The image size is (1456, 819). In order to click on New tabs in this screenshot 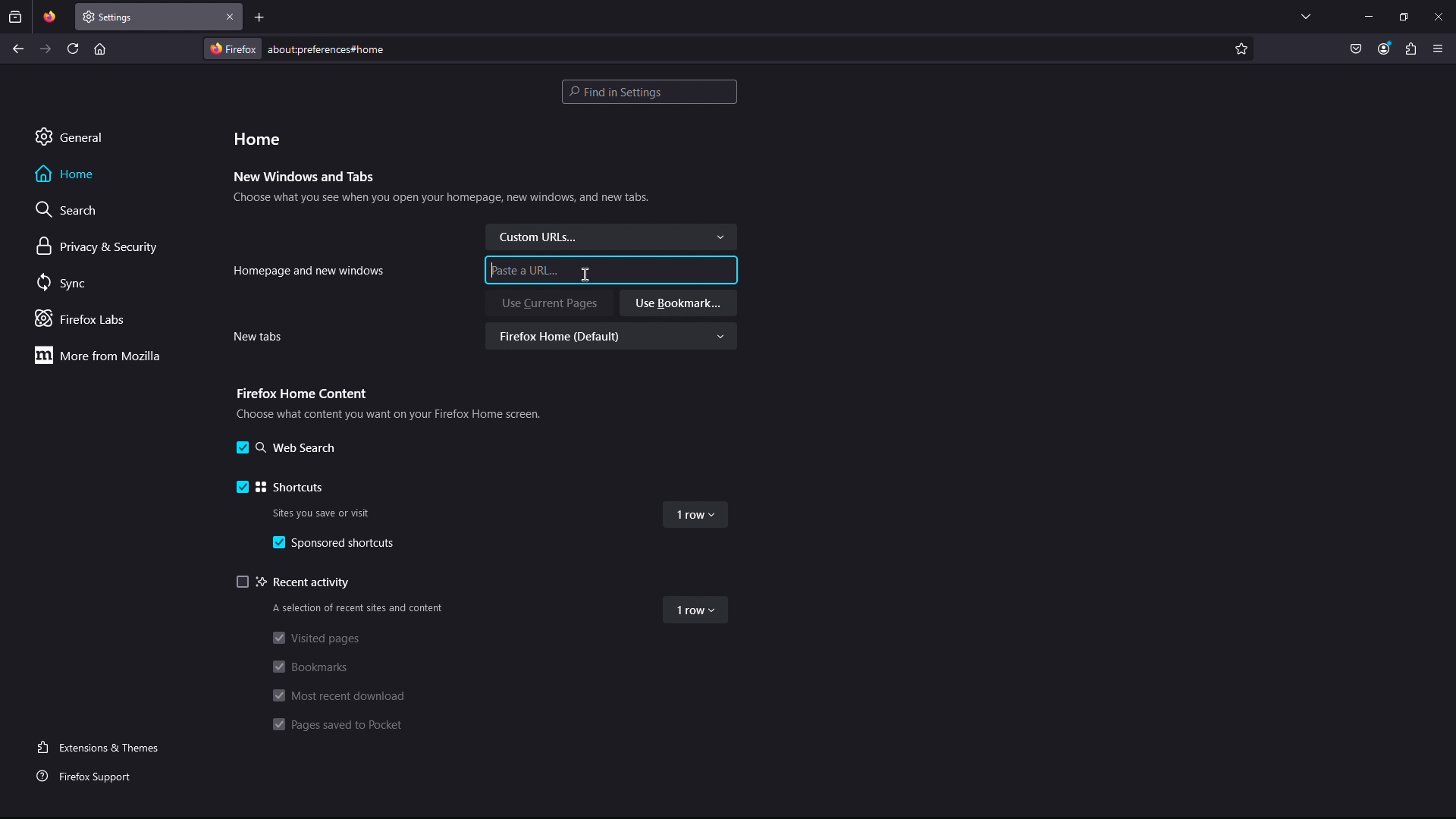, I will do `click(256, 337)`.